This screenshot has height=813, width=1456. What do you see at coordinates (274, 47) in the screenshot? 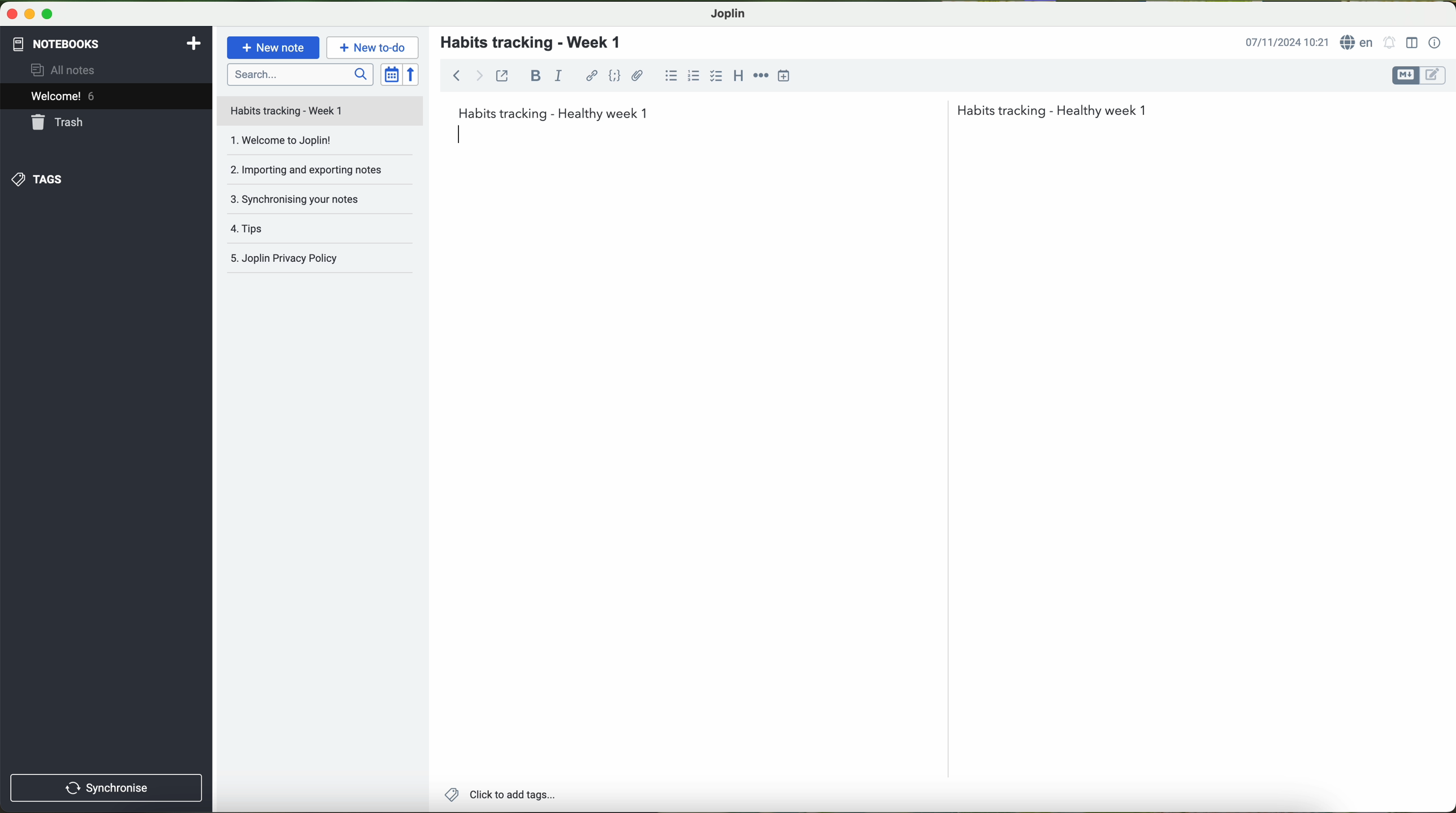
I see `new note button` at bounding box center [274, 47].